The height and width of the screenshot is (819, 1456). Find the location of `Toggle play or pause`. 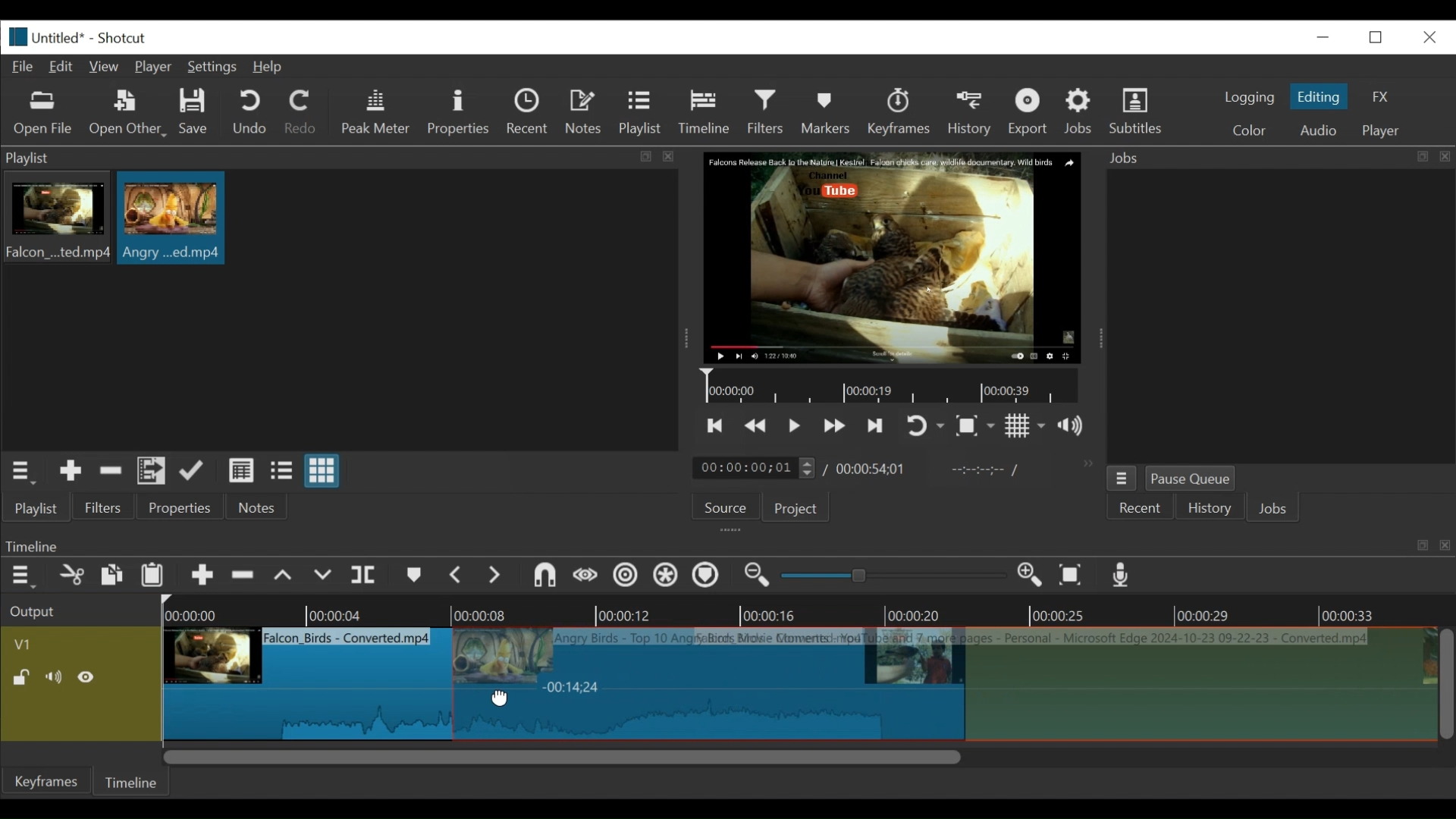

Toggle play or pause is located at coordinates (795, 425).